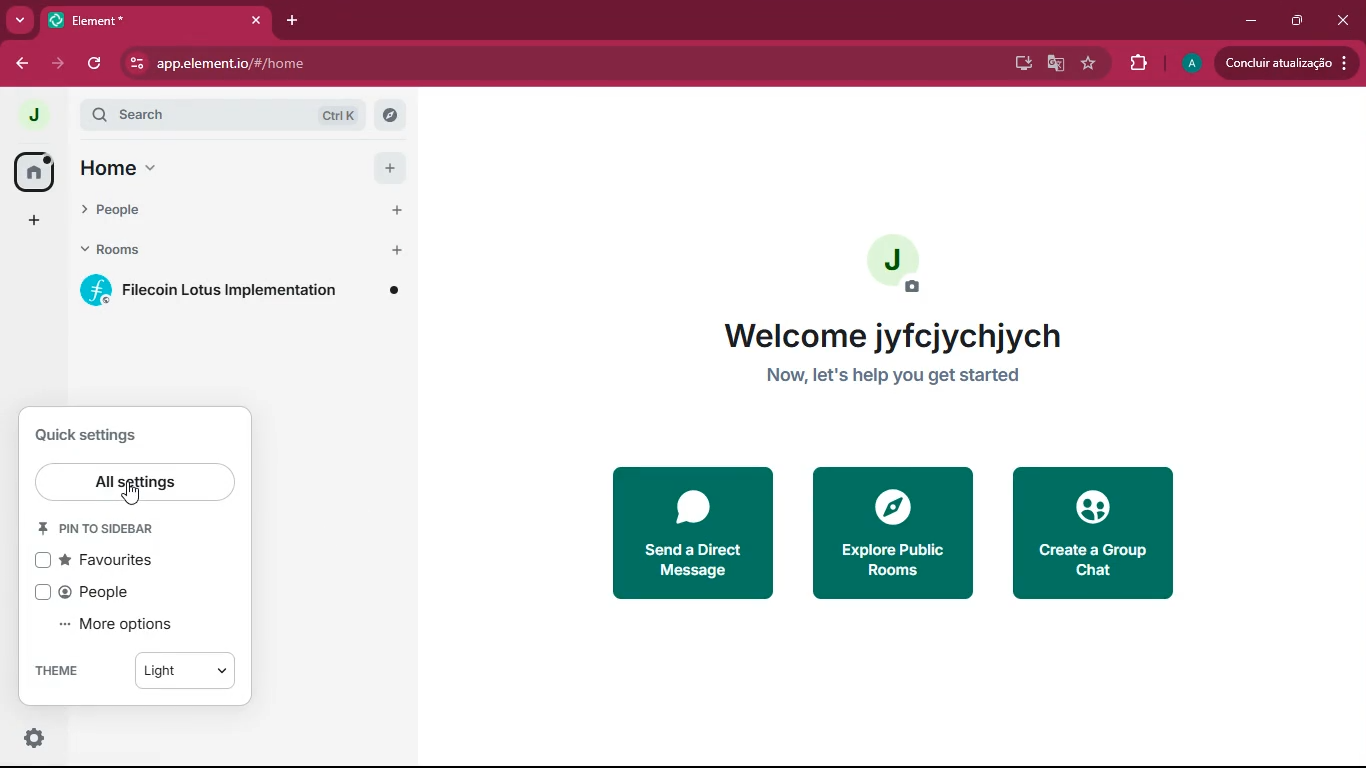  I want to click on app.element.io/#/home, so click(410, 64).